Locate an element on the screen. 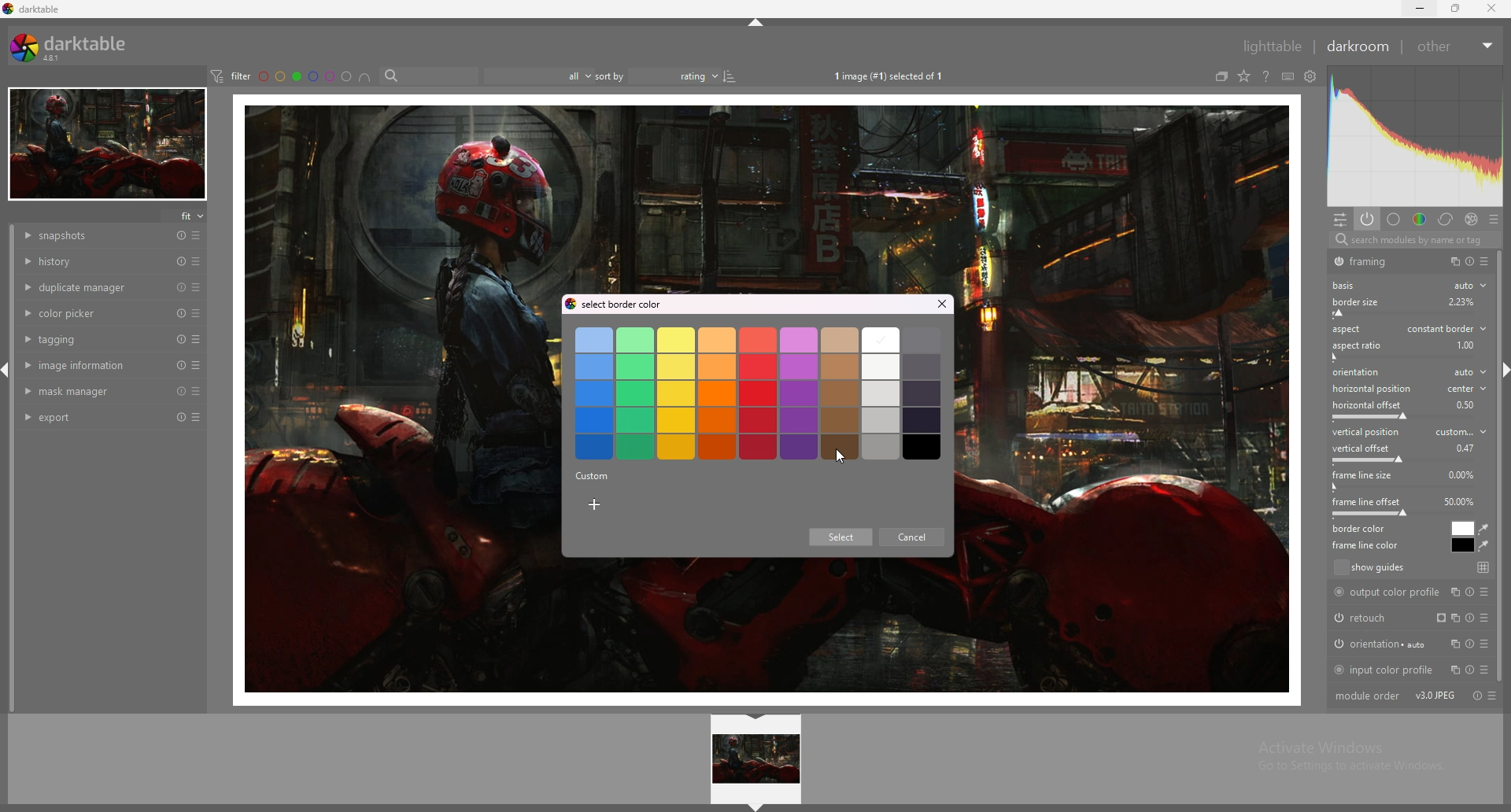 This screenshot has height=812, width=1511. framing is located at coordinates (1372, 261).